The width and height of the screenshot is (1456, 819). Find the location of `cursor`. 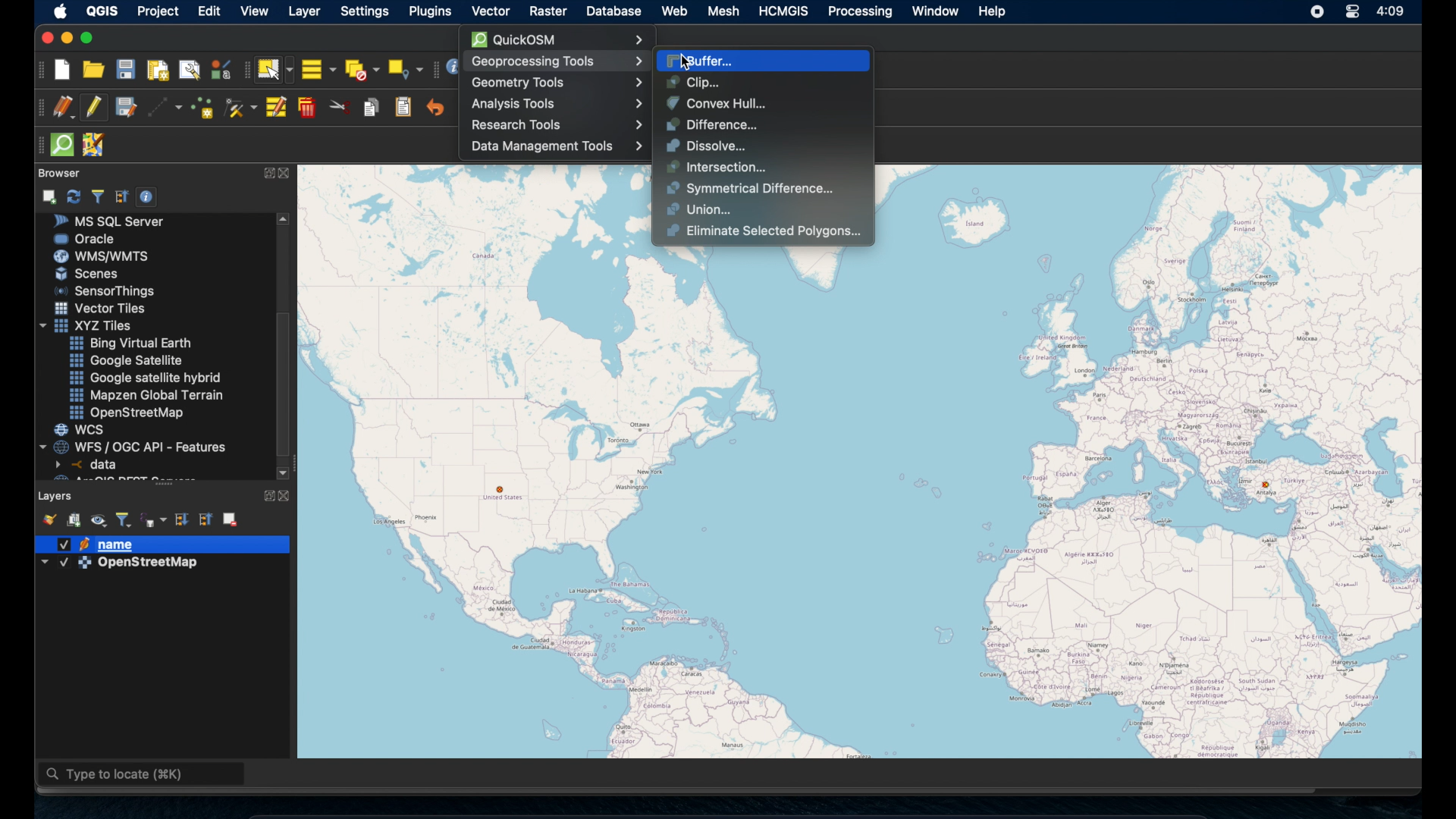

cursor is located at coordinates (689, 58).